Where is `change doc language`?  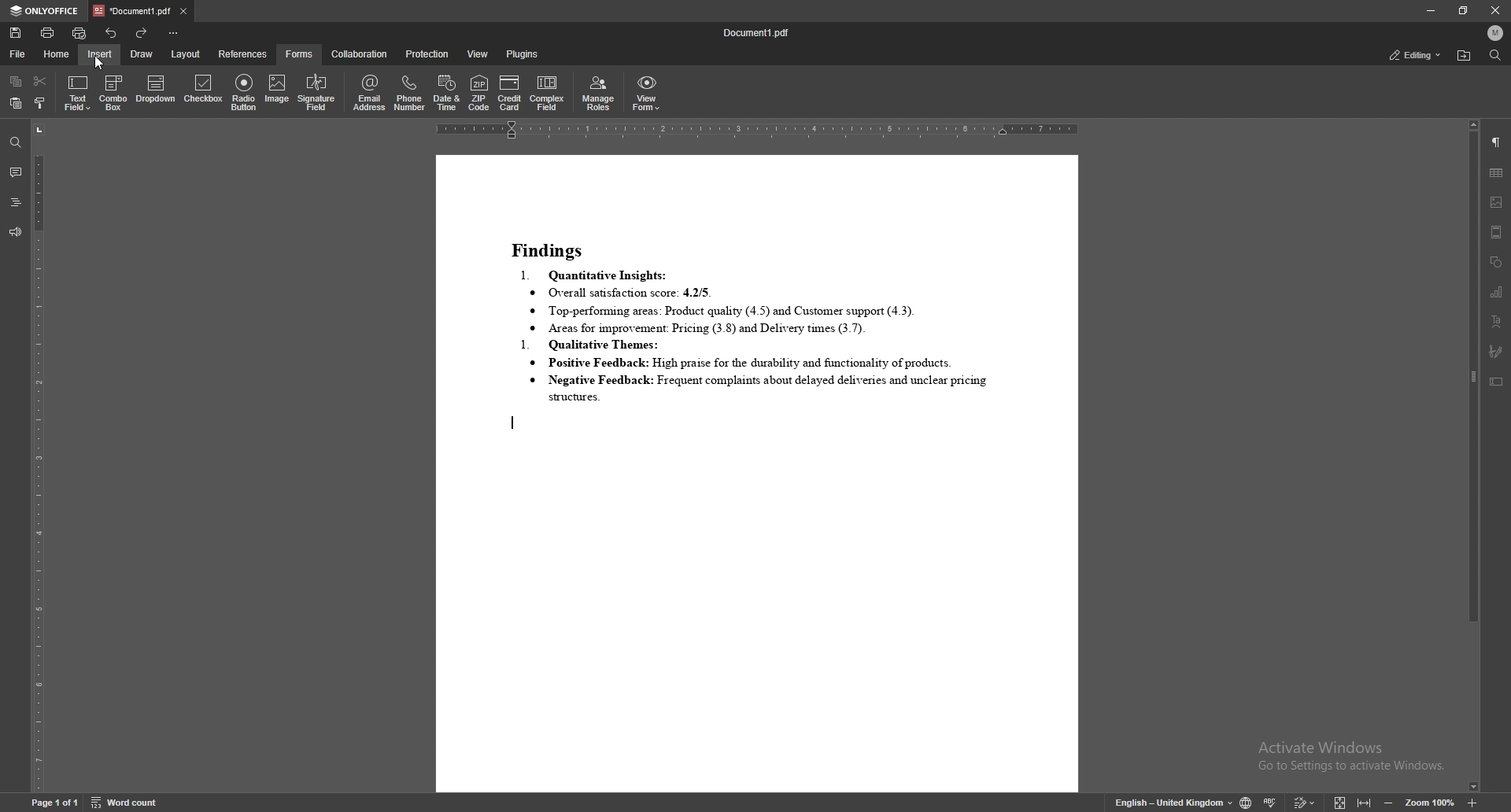
change doc language is located at coordinates (1245, 803).